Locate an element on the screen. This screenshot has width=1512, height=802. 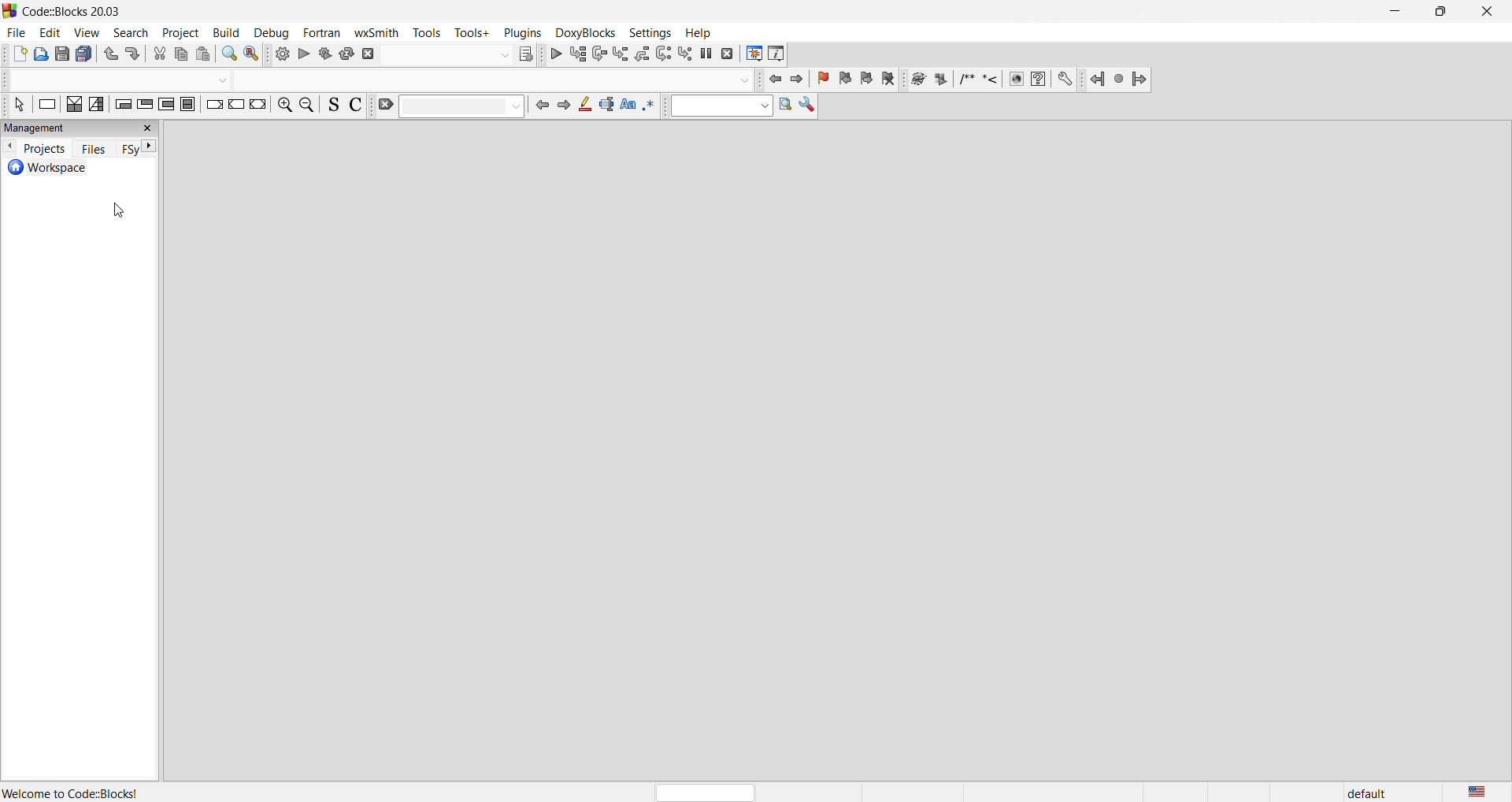
toggle source is located at coordinates (335, 108).